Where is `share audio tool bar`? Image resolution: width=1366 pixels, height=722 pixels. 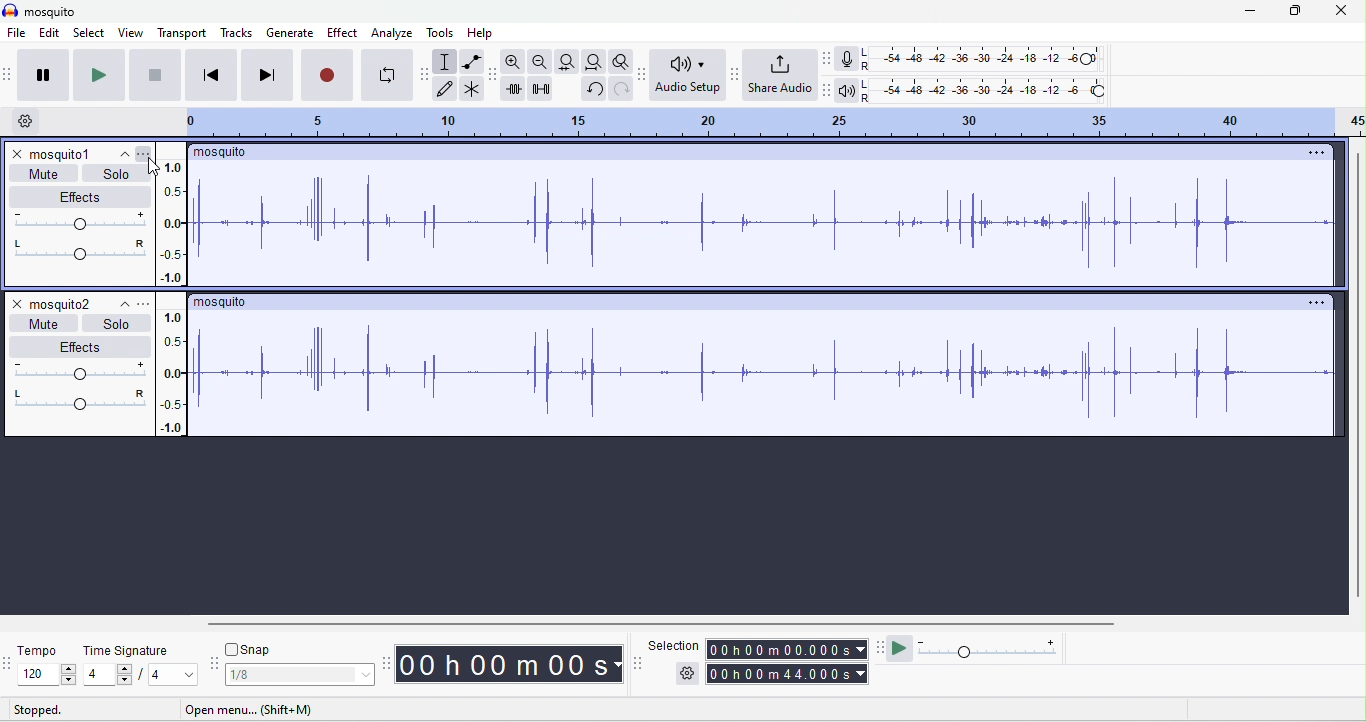
share audio tool bar is located at coordinates (735, 75).